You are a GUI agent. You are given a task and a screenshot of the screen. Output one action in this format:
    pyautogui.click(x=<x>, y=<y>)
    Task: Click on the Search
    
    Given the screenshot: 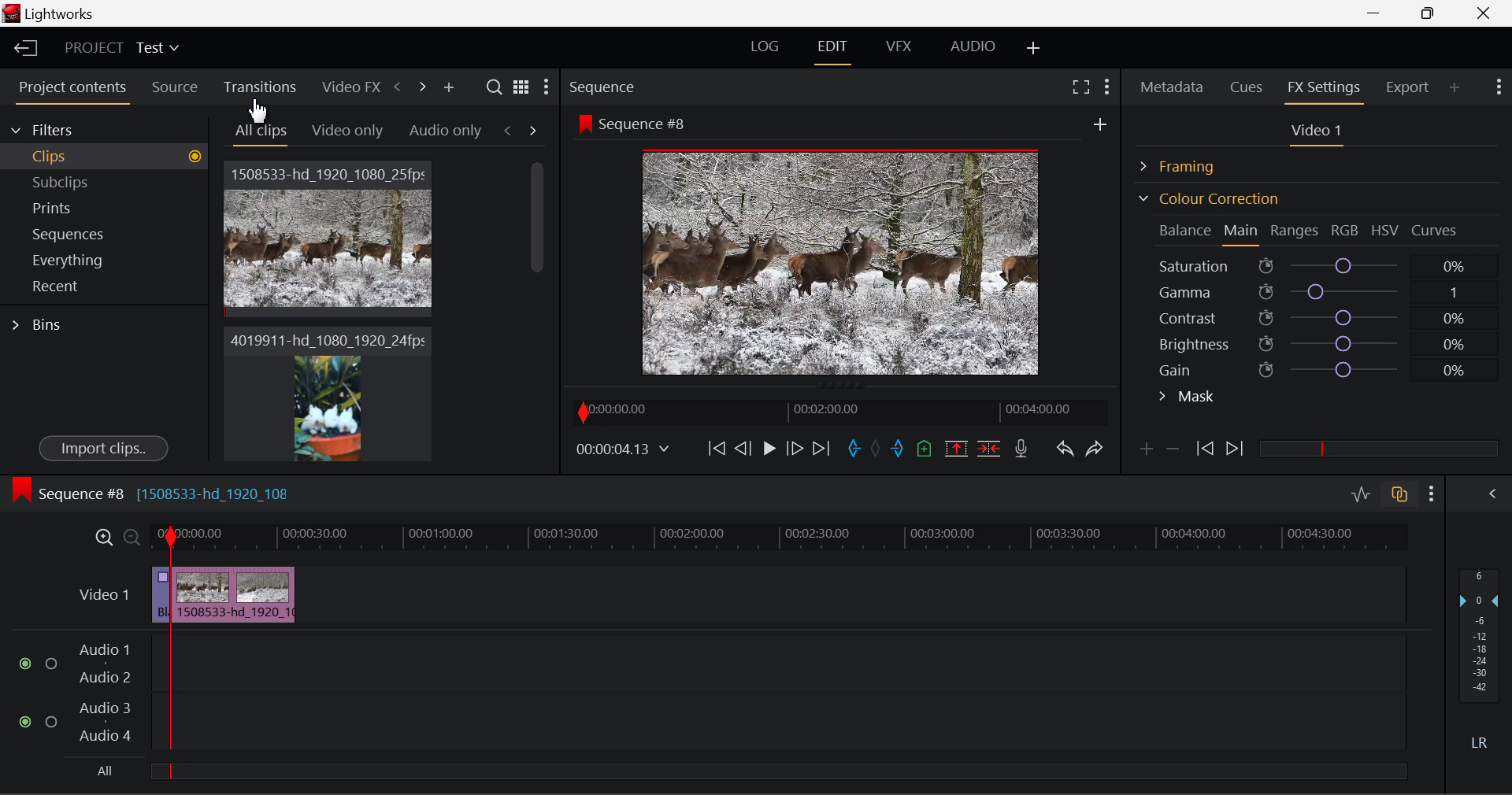 What is the action you would take?
    pyautogui.click(x=496, y=87)
    